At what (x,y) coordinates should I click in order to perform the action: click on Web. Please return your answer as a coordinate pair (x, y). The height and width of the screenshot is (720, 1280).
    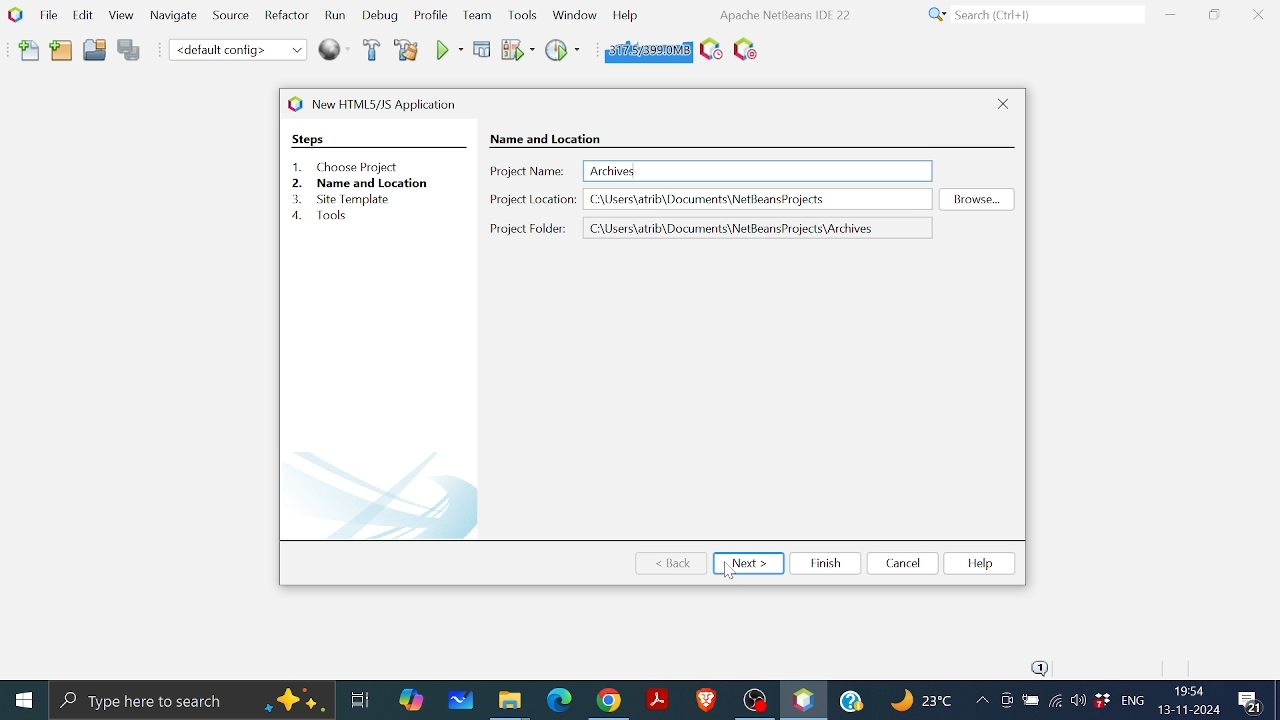
    Looking at the image, I should click on (335, 48).